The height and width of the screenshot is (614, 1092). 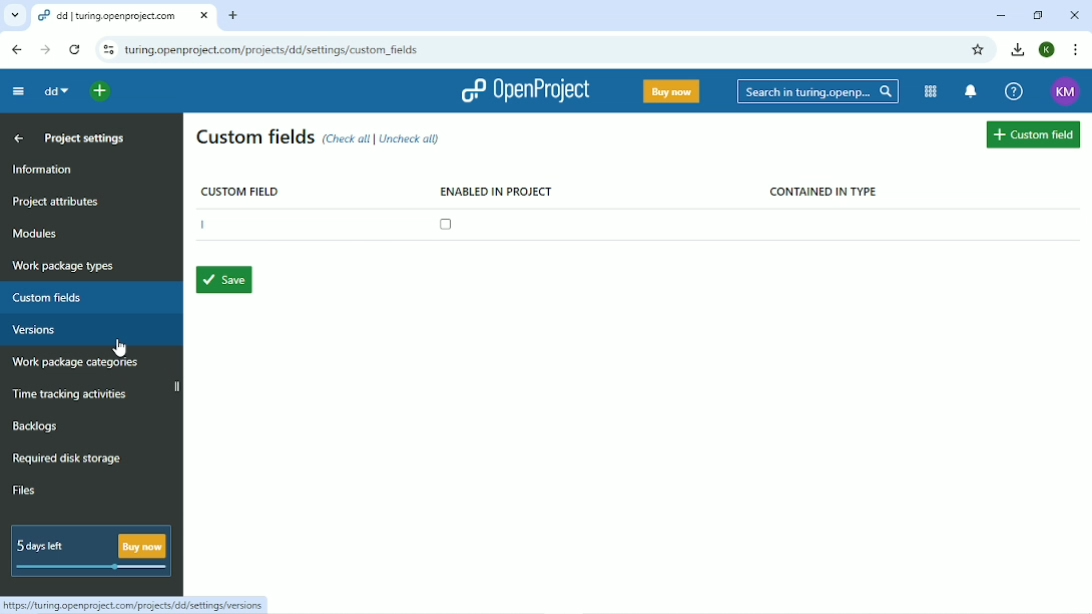 I want to click on Help, so click(x=1015, y=91).